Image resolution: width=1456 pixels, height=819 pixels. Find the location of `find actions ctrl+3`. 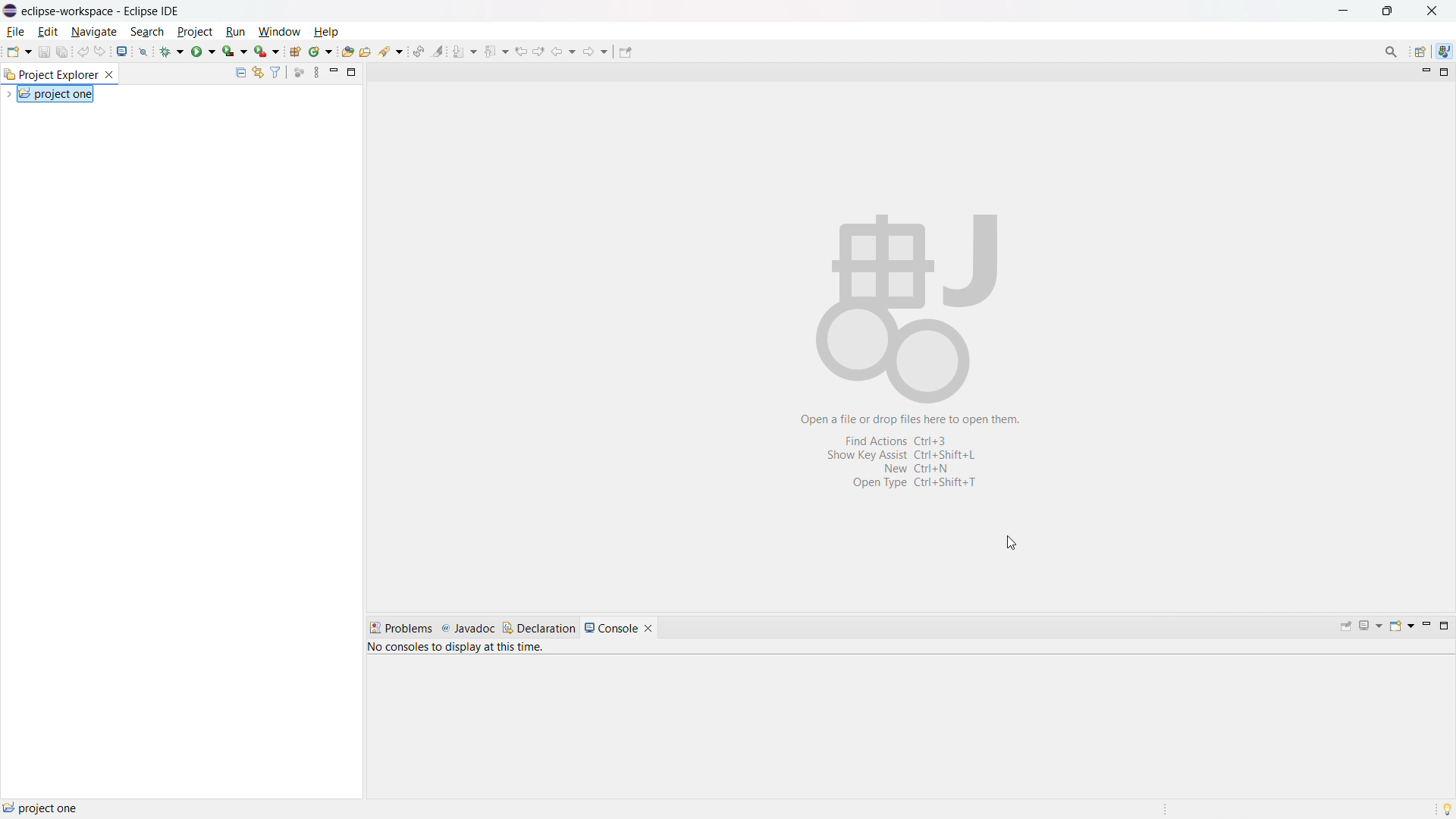

find actions ctrl+3 is located at coordinates (902, 440).